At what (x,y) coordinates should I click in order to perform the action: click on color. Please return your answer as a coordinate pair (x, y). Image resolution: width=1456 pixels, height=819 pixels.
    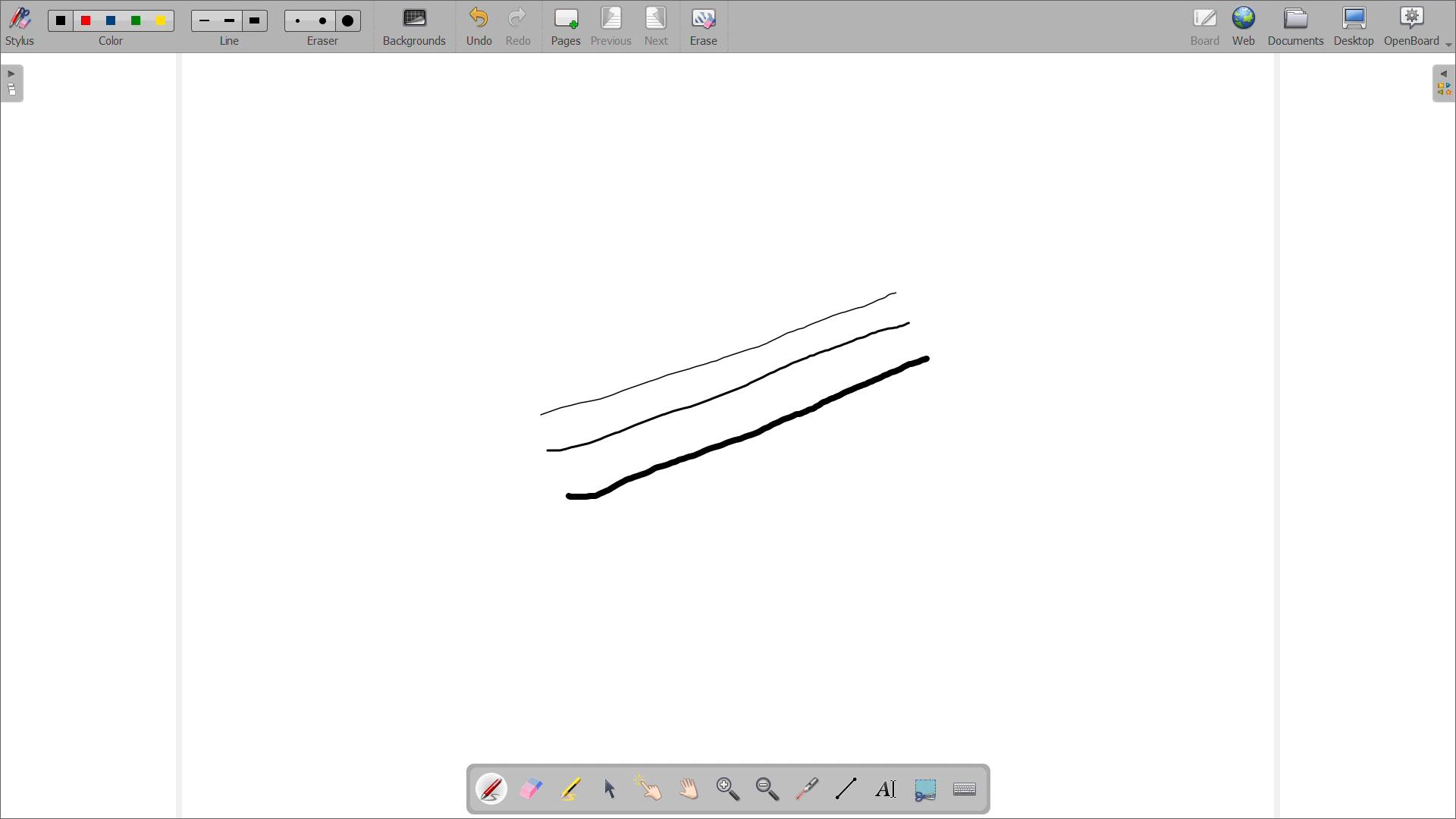
    Looking at the image, I should click on (138, 21).